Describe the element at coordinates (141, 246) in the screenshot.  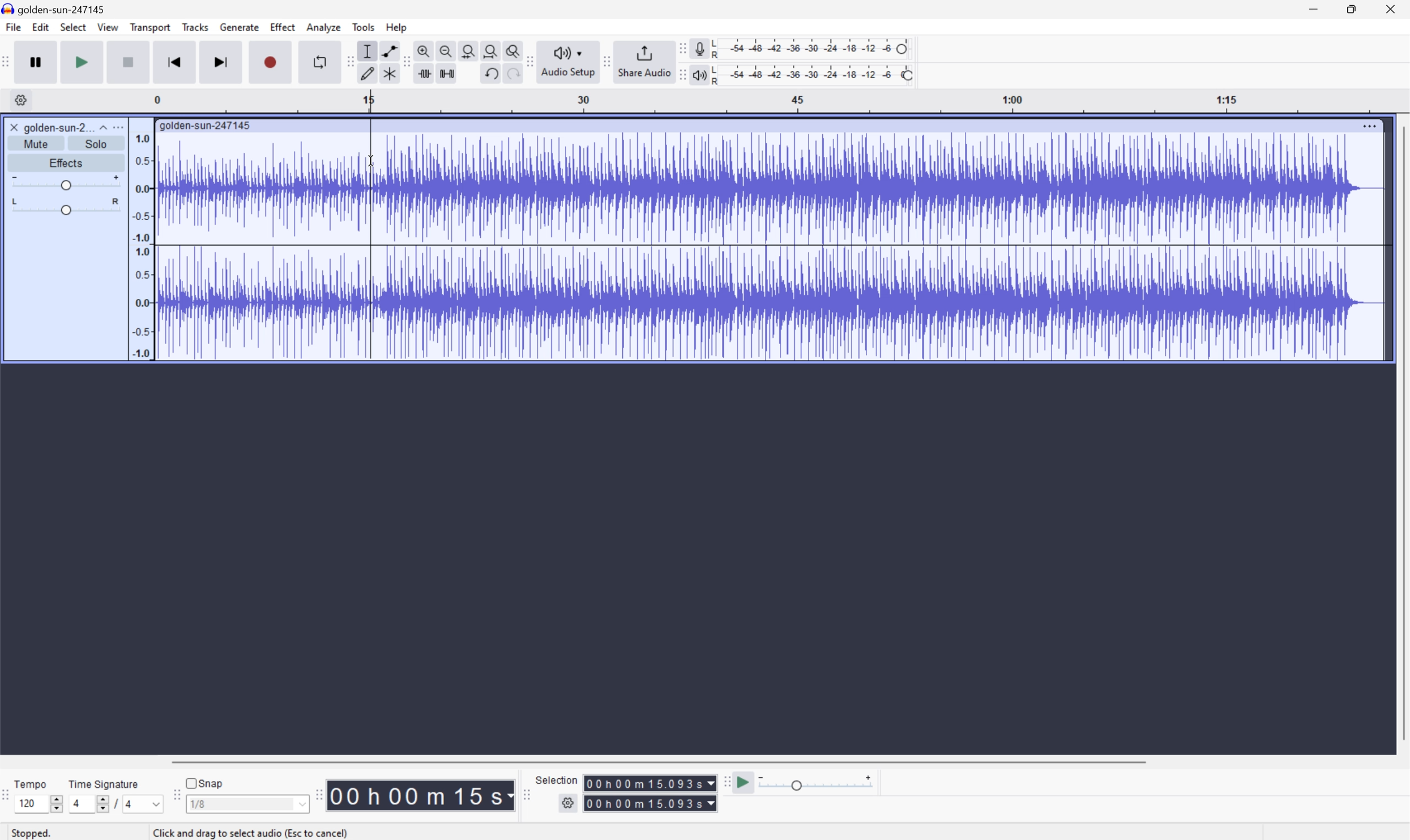
I see `Frequencies` at that location.